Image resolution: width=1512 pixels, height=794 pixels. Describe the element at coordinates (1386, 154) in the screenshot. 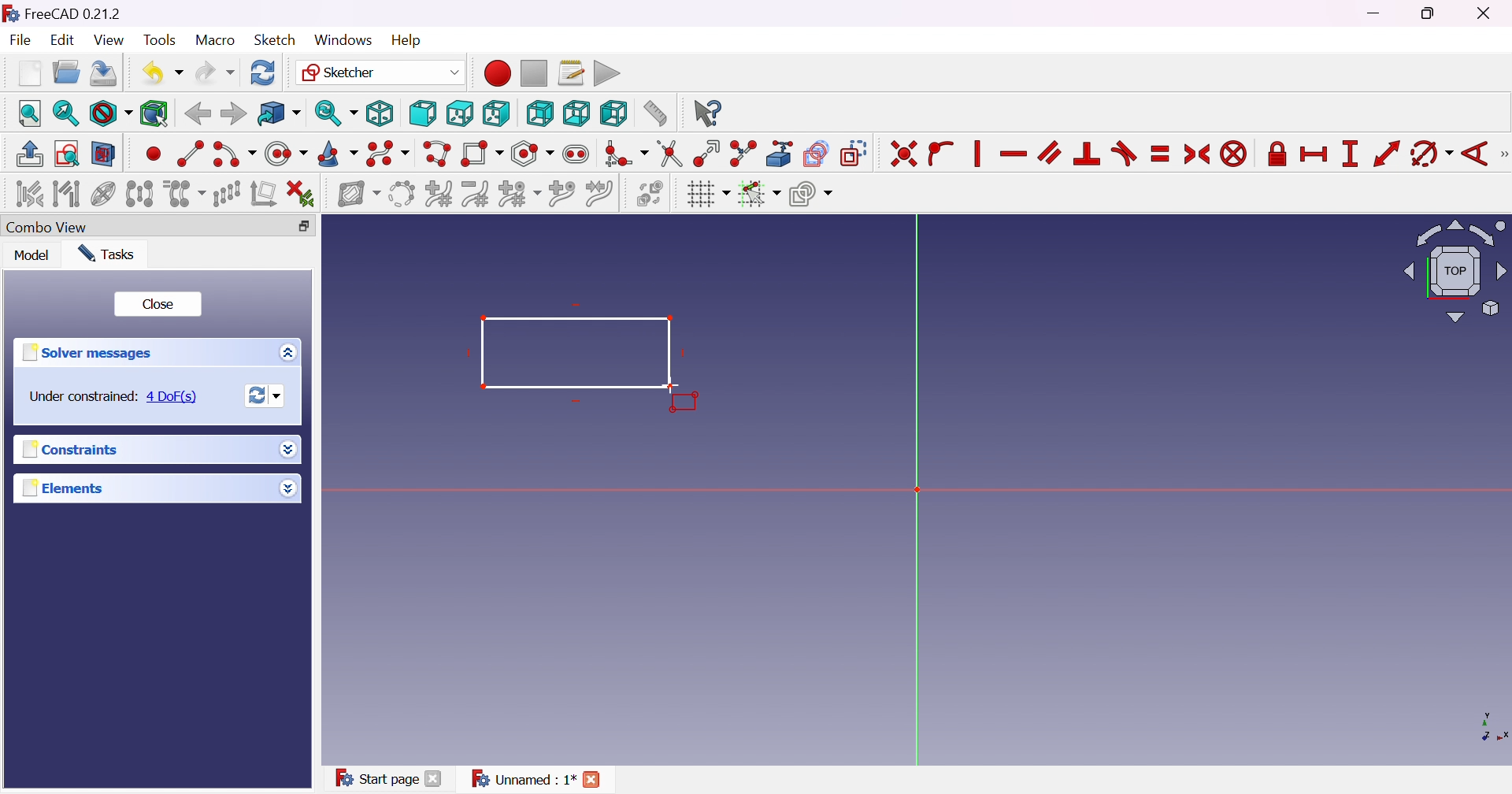

I see `Constrain distance` at that location.